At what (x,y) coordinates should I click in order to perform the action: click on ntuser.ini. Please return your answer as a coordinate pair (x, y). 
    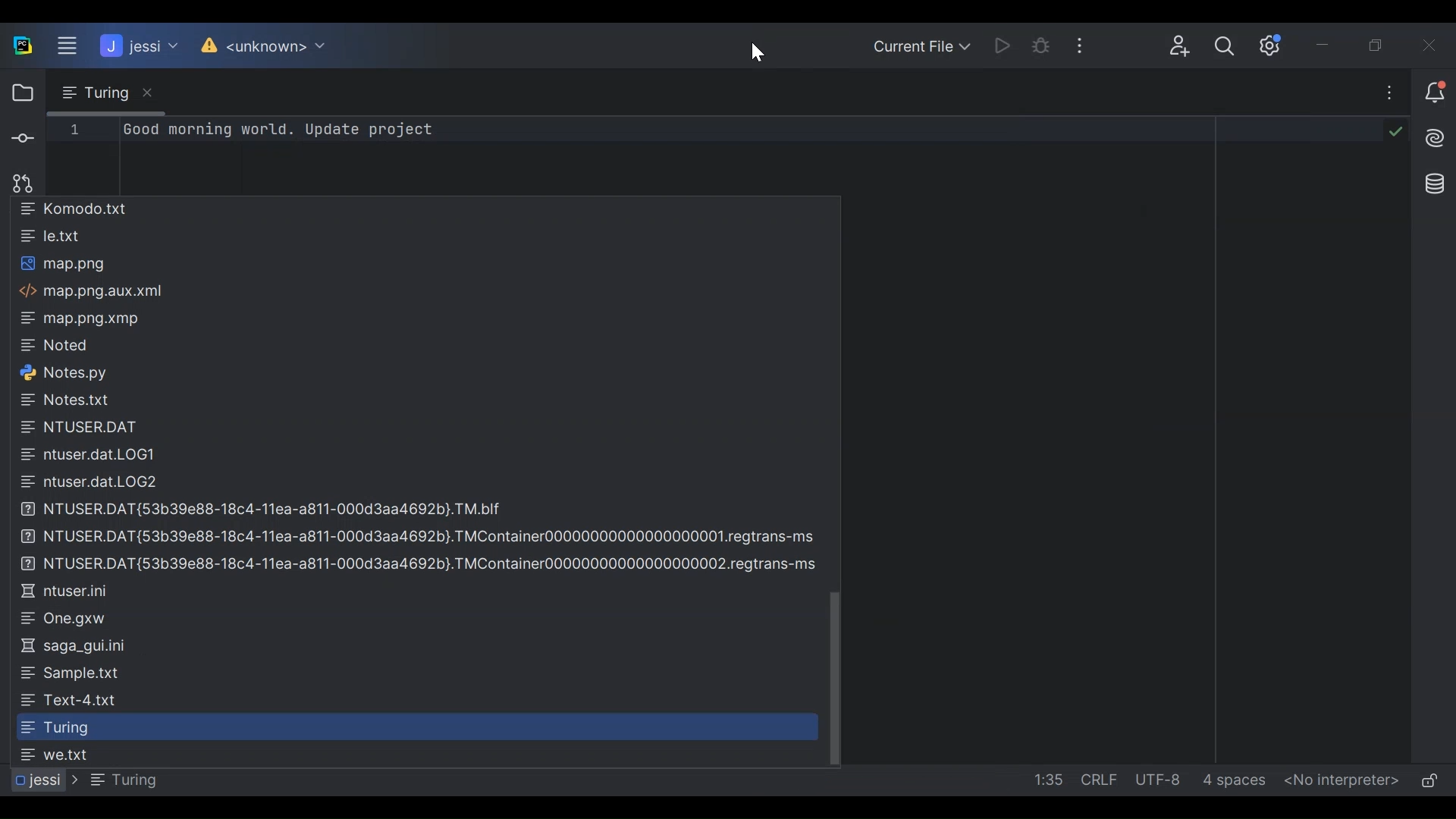
    Looking at the image, I should click on (71, 590).